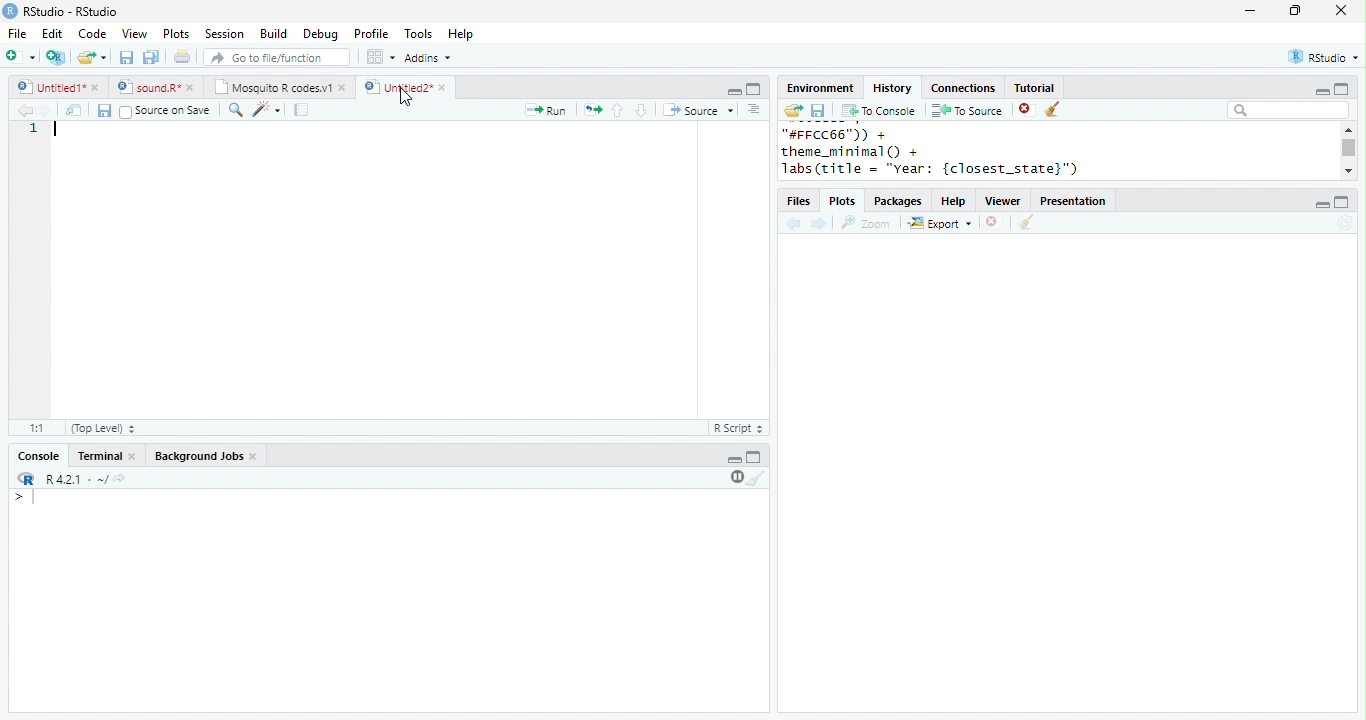  Describe the element at coordinates (56, 58) in the screenshot. I see `New project` at that location.